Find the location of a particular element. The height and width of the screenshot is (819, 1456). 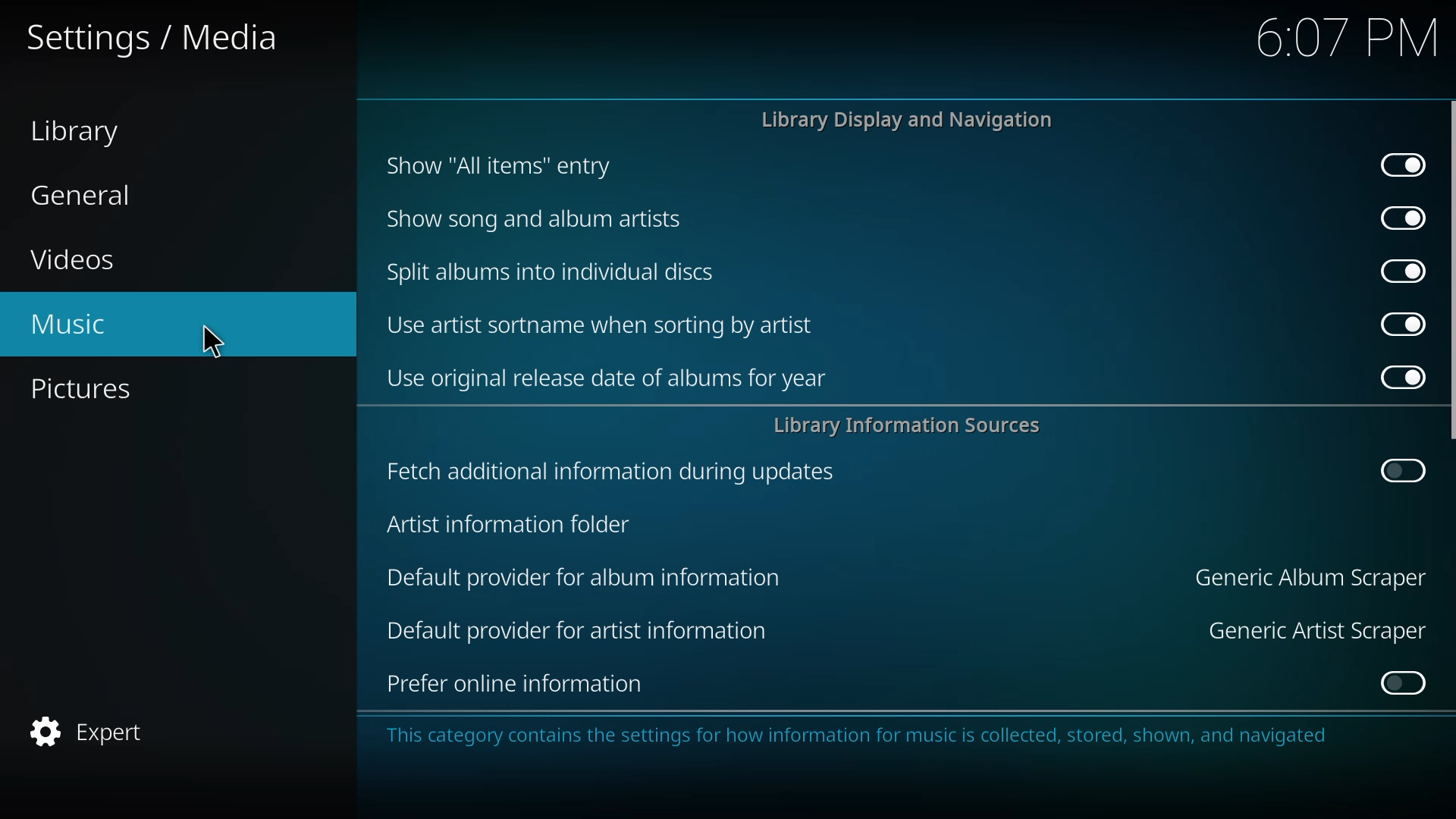

prefer online information is located at coordinates (519, 685).